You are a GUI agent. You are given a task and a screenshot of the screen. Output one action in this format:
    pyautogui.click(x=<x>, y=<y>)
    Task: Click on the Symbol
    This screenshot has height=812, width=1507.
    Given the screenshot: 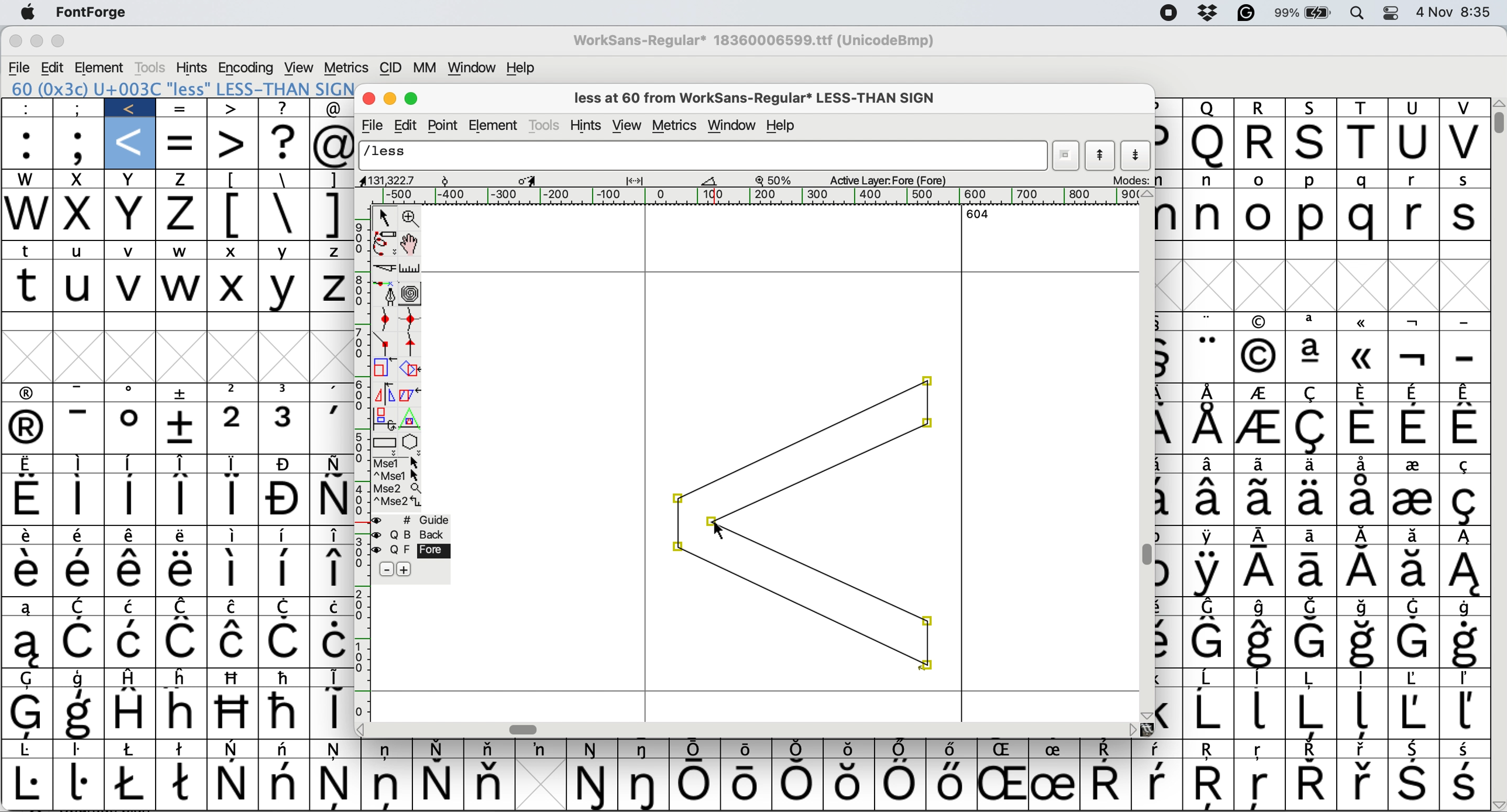 What is the action you would take?
    pyautogui.click(x=132, y=783)
    